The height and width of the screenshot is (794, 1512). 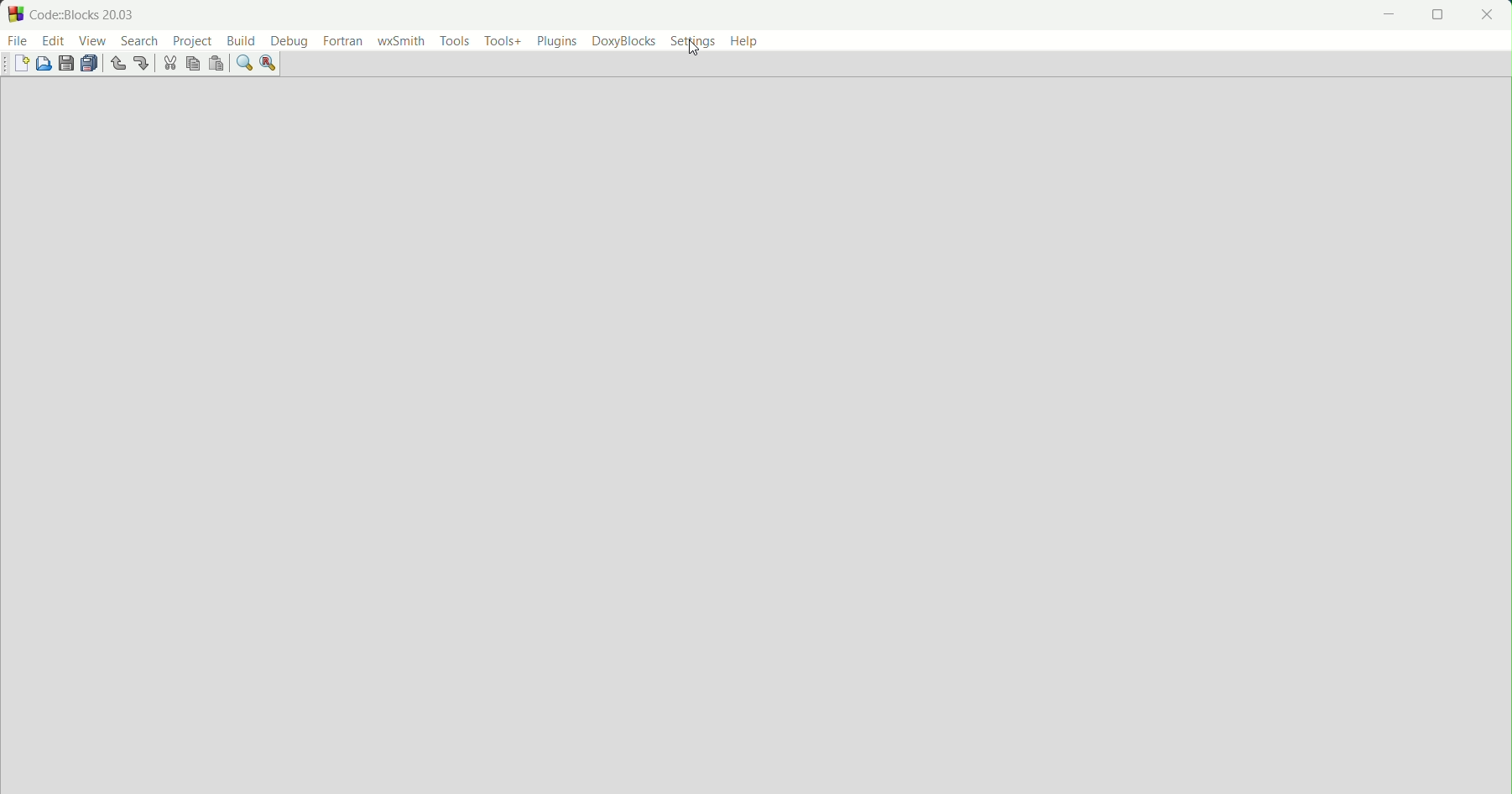 I want to click on close, so click(x=1487, y=15).